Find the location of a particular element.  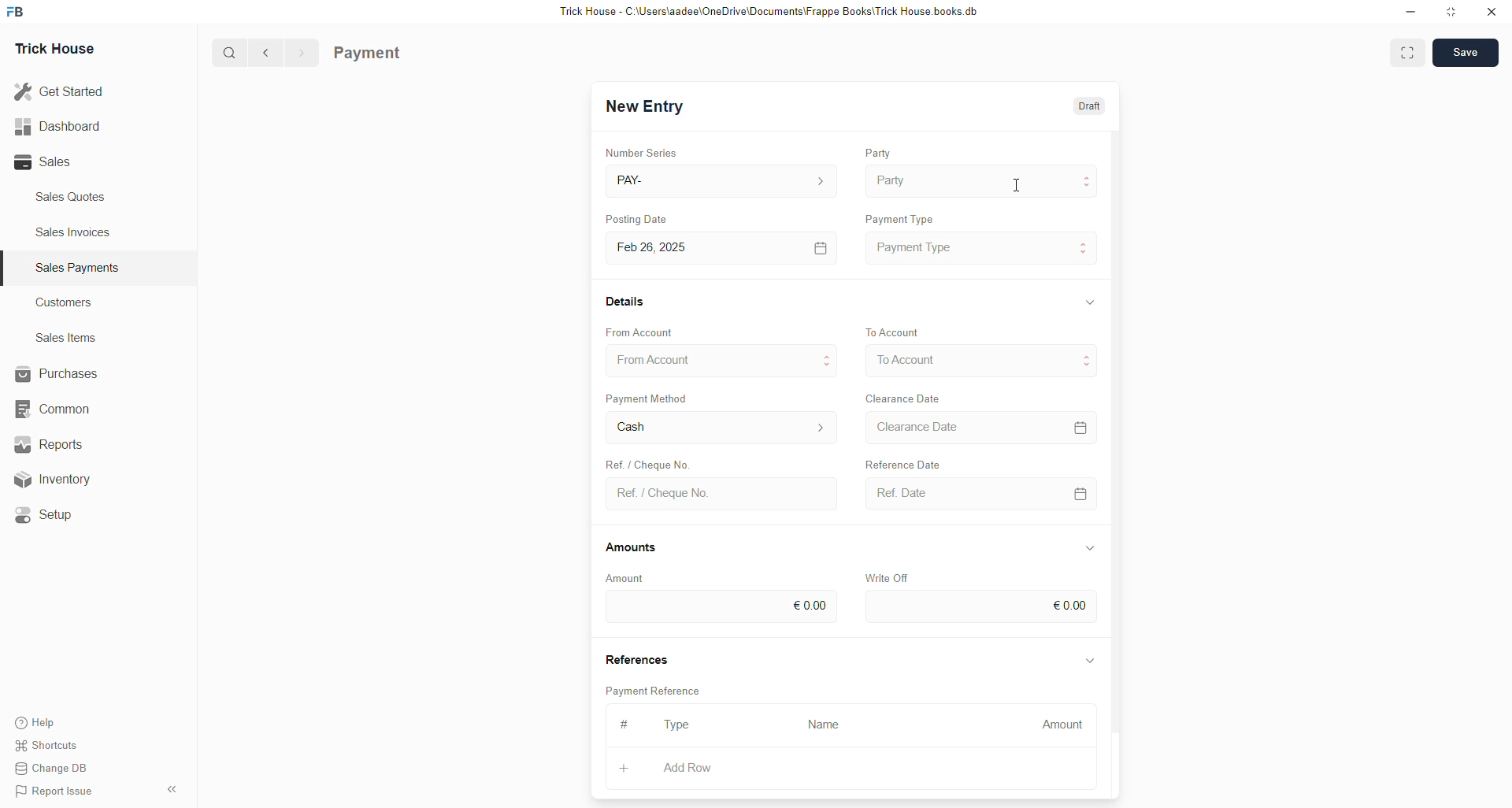

Reports is located at coordinates (59, 443).